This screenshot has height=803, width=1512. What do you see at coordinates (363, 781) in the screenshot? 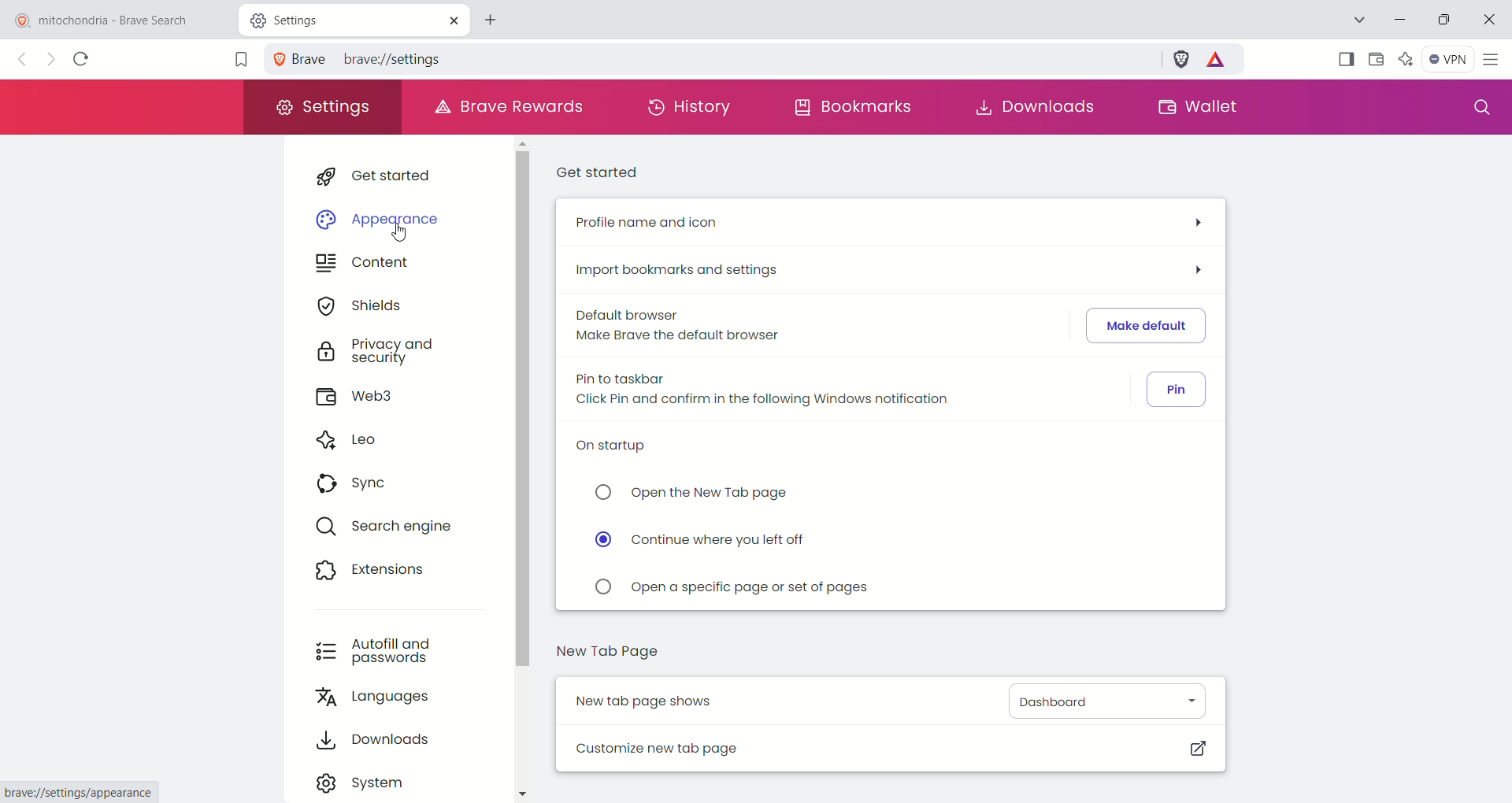
I see `system` at bounding box center [363, 781].